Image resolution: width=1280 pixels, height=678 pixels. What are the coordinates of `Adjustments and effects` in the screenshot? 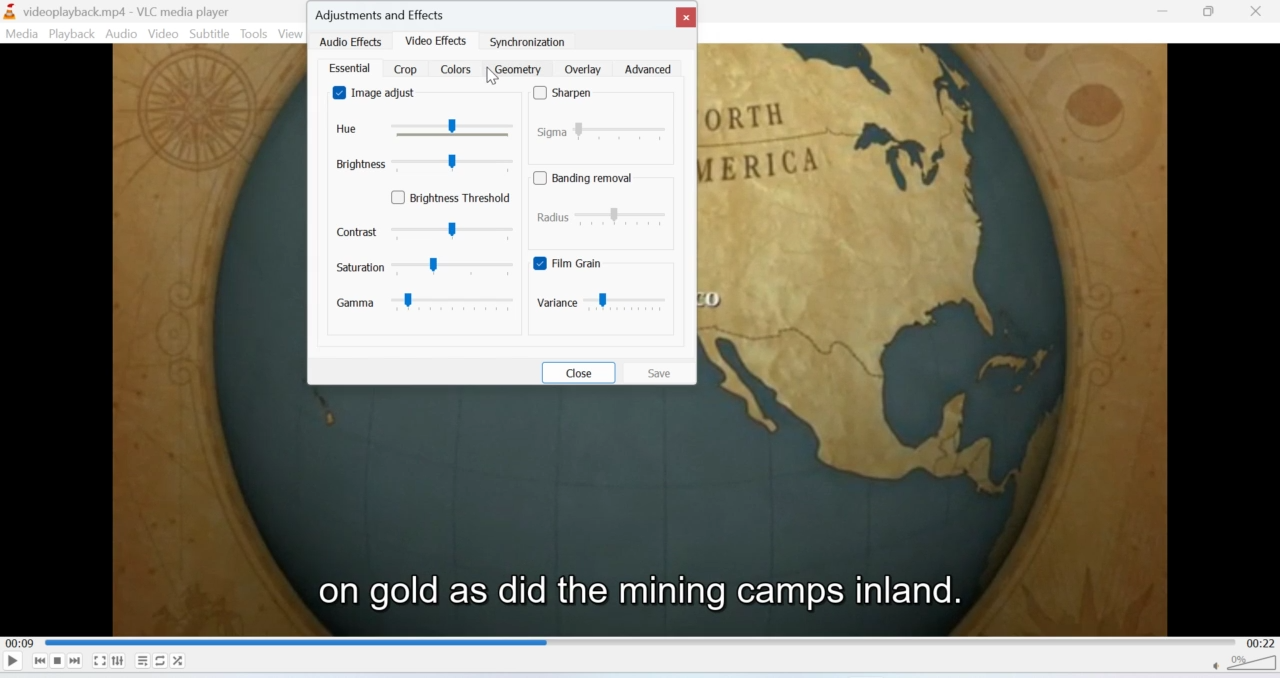 It's located at (383, 12).